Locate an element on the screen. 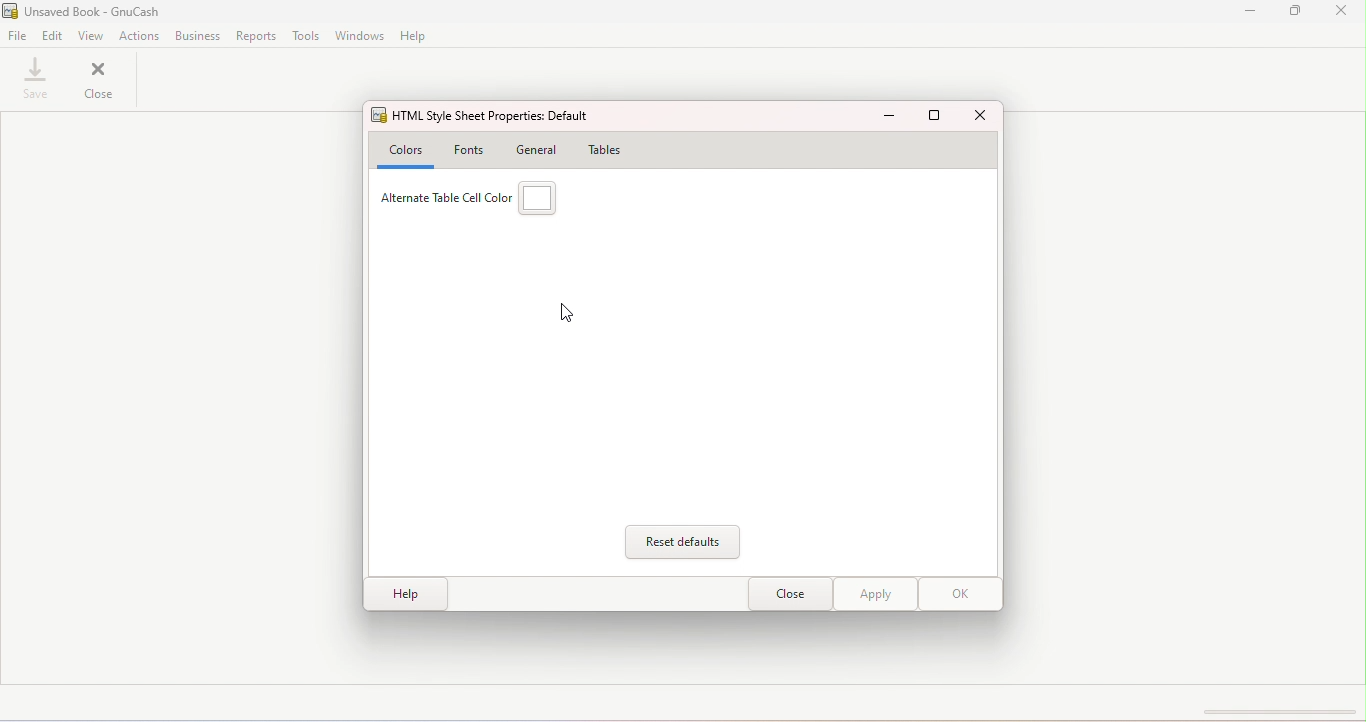 This screenshot has width=1366, height=722. Colors is located at coordinates (408, 150).